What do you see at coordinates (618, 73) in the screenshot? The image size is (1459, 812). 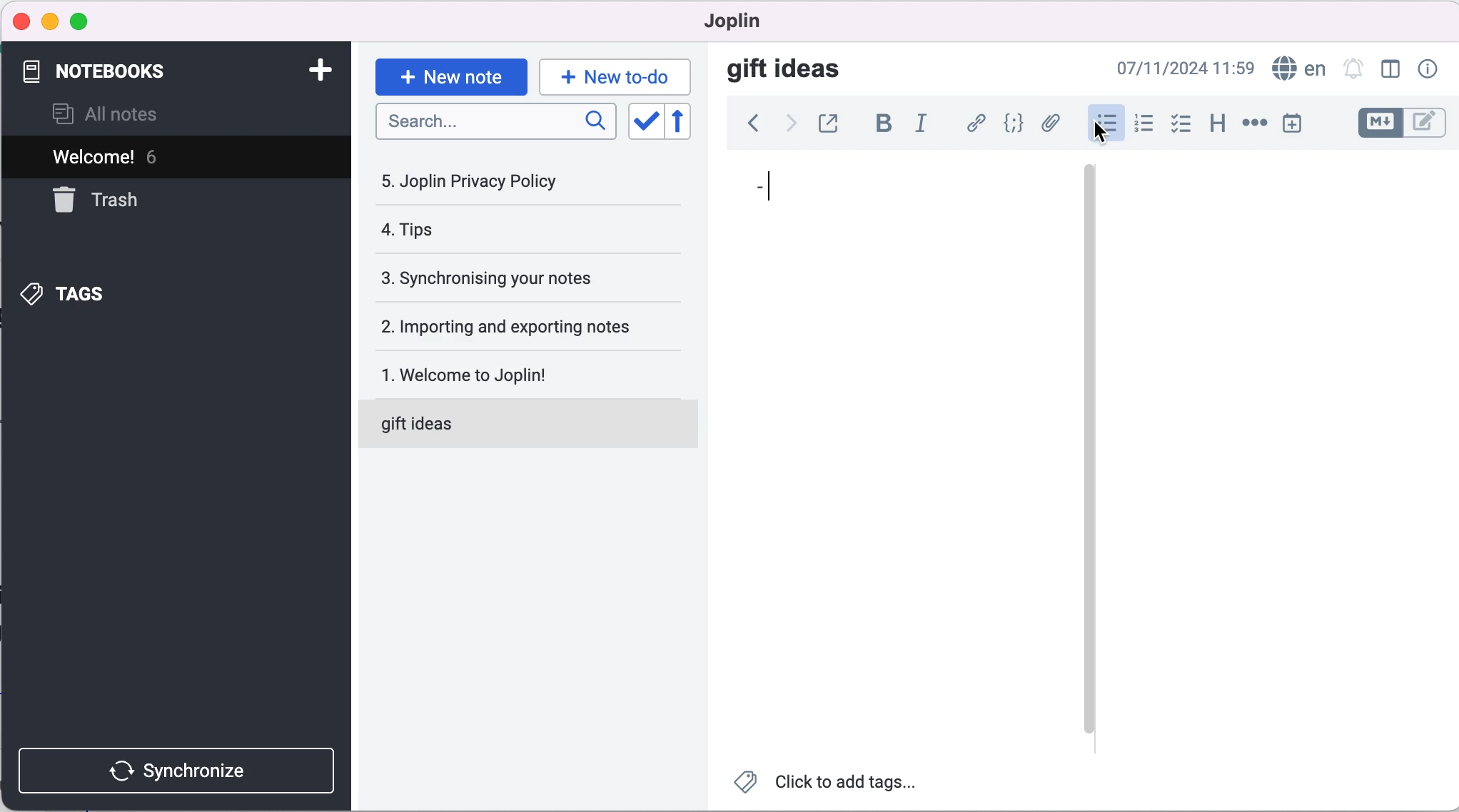 I see `new to-do` at bounding box center [618, 73].